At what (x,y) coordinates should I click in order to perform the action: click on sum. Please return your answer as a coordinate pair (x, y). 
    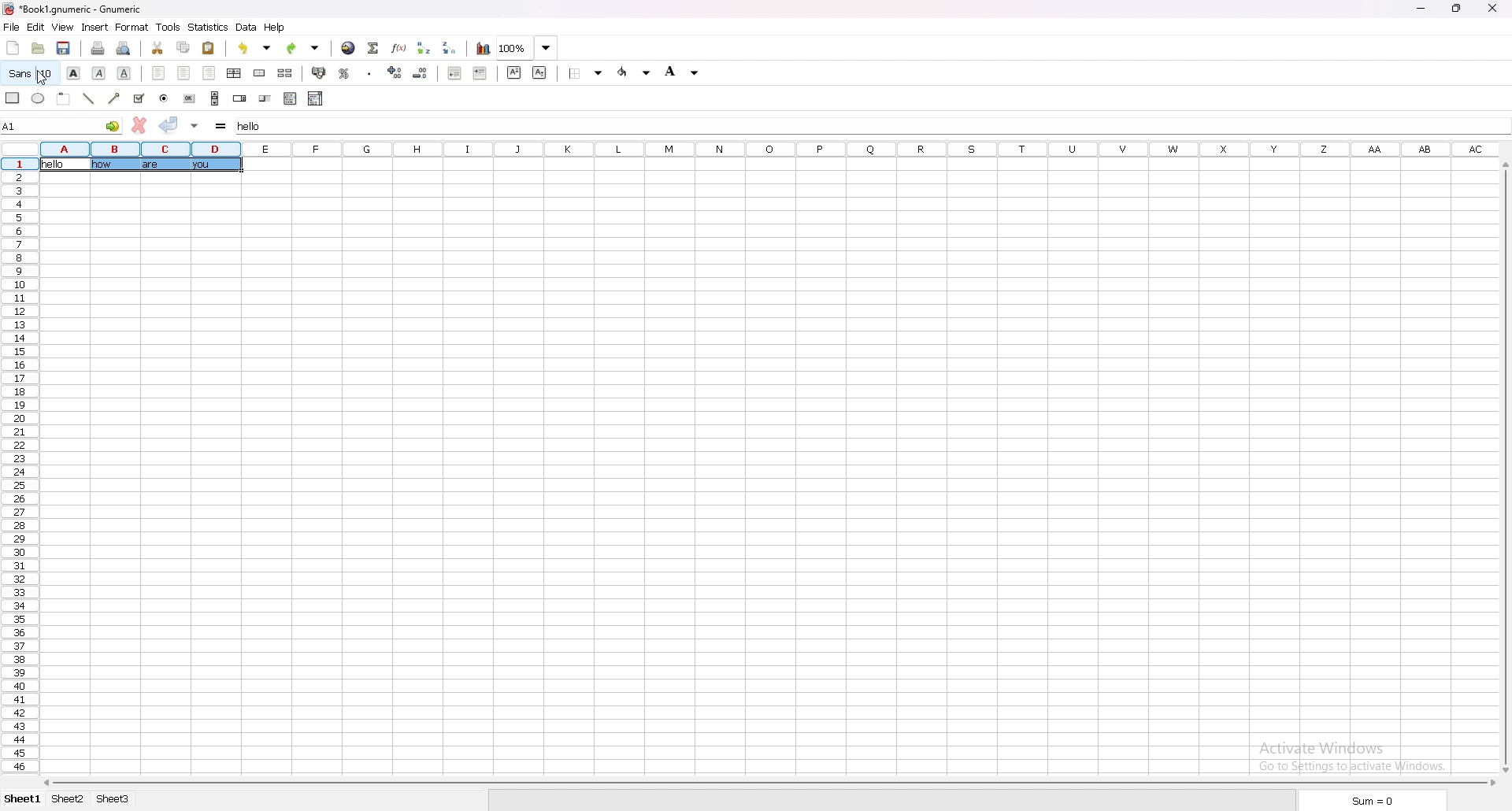
    Looking at the image, I should click on (1371, 801).